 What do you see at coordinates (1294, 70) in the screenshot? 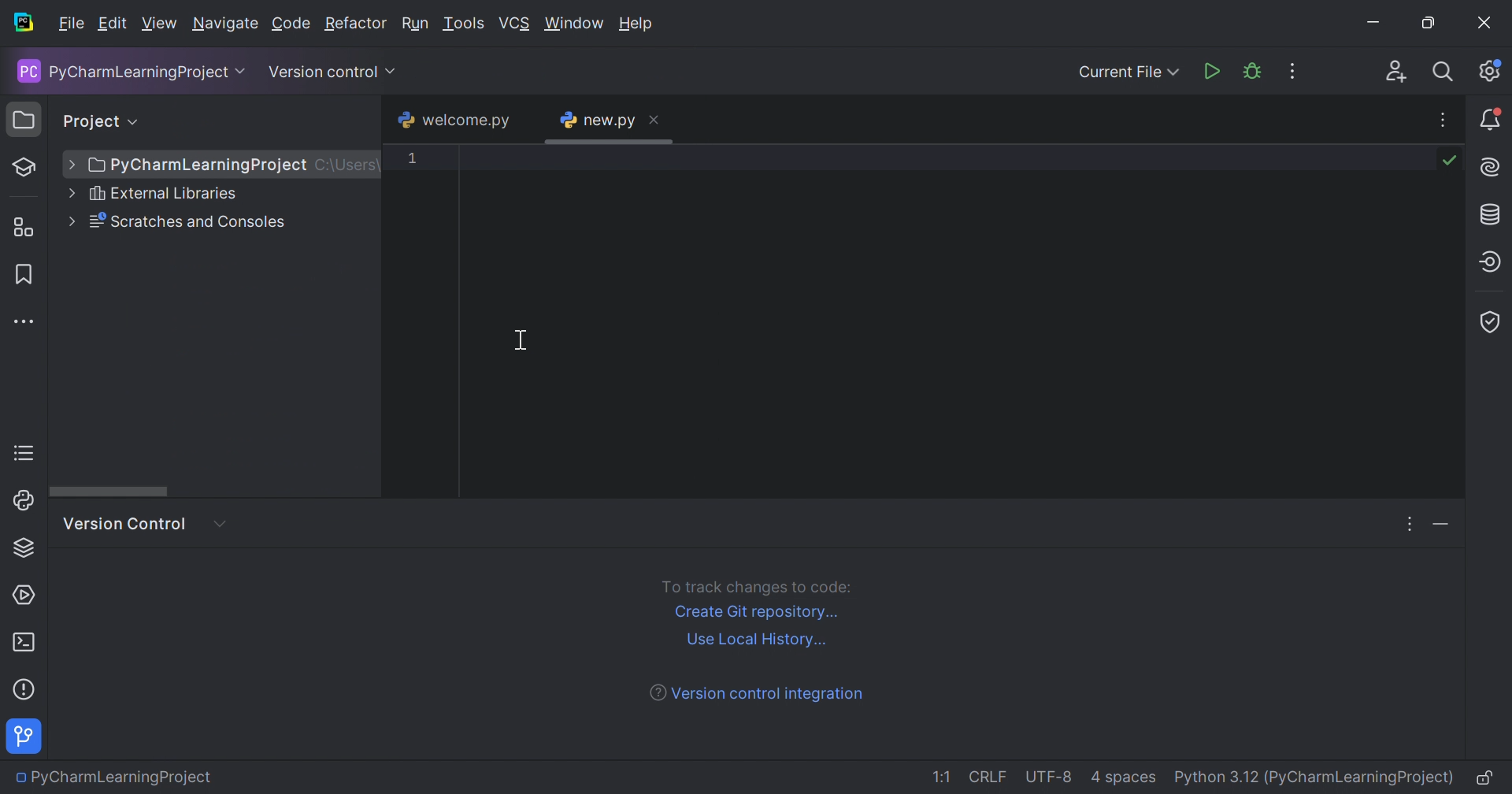
I see `More actions` at bounding box center [1294, 70].